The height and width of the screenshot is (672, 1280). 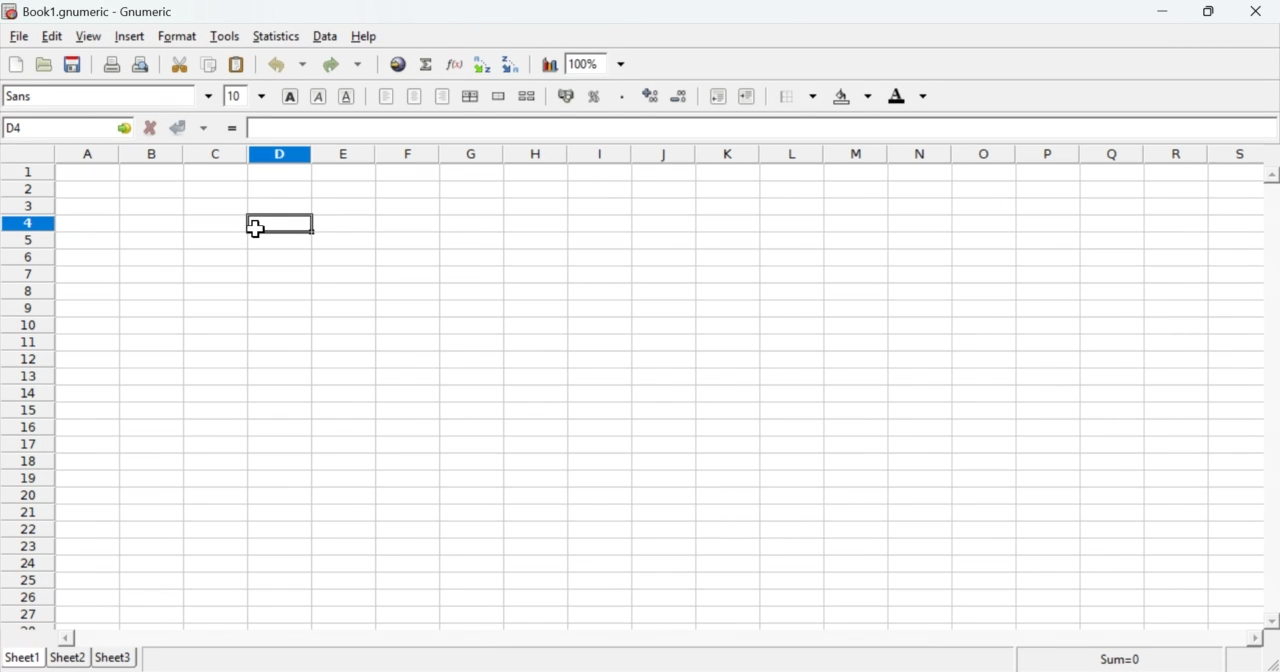 I want to click on Contents of  the active cell, so click(x=756, y=129).